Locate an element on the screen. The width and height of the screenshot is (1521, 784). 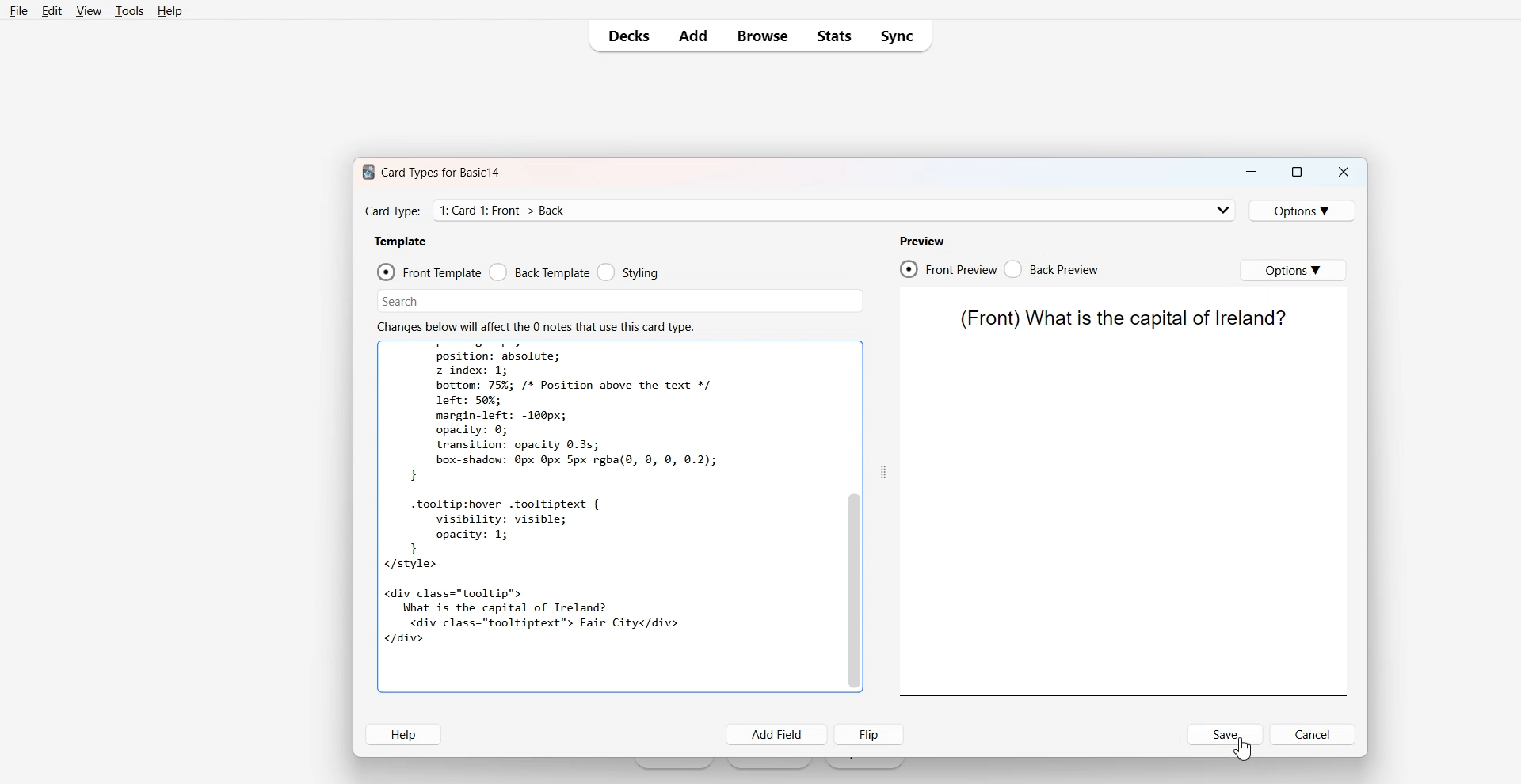
Browse is located at coordinates (763, 36).